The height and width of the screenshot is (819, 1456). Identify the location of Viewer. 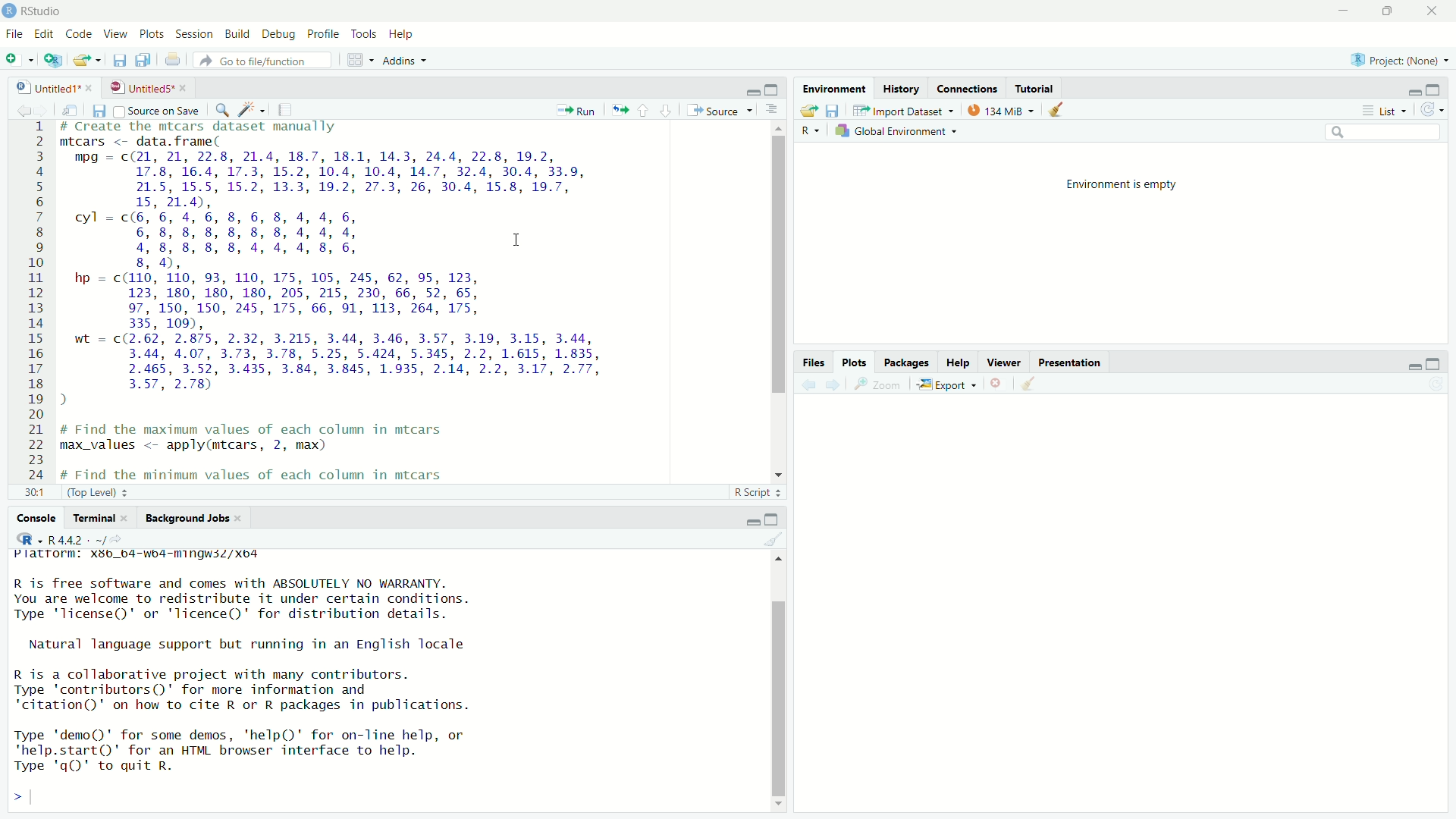
(1001, 359).